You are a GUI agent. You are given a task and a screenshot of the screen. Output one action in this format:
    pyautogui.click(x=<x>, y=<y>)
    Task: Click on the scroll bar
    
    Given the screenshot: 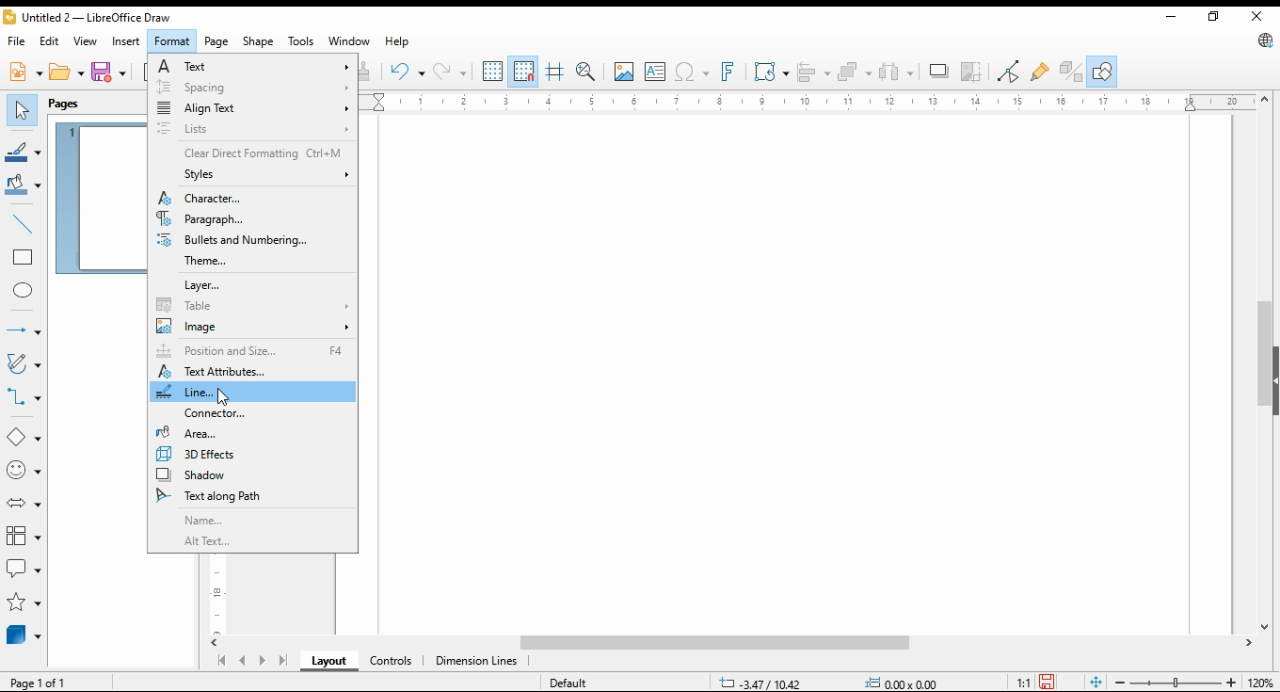 What is the action you would take?
    pyautogui.click(x=740, y=644)
    